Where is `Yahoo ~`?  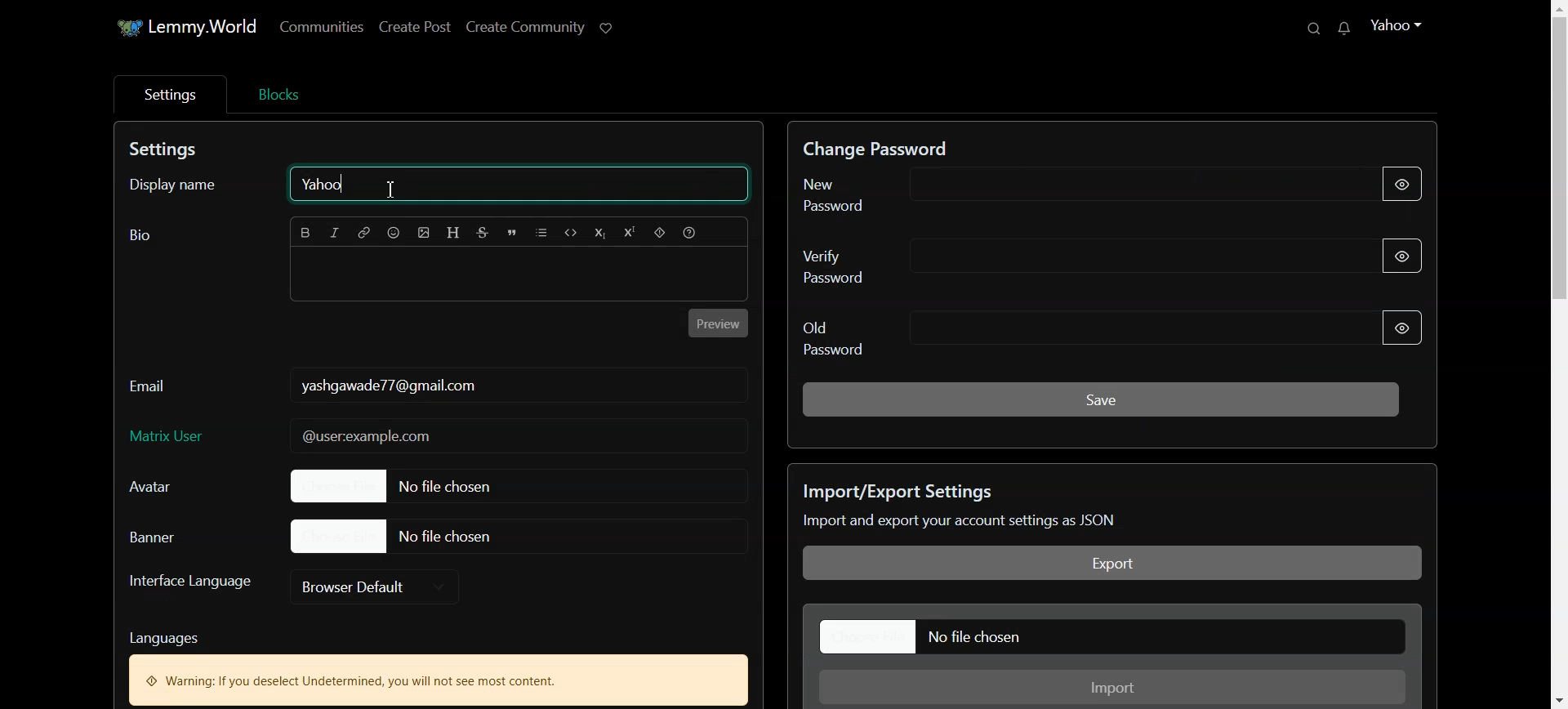
Yahoo ~ is located at coordinates (1409, 24).